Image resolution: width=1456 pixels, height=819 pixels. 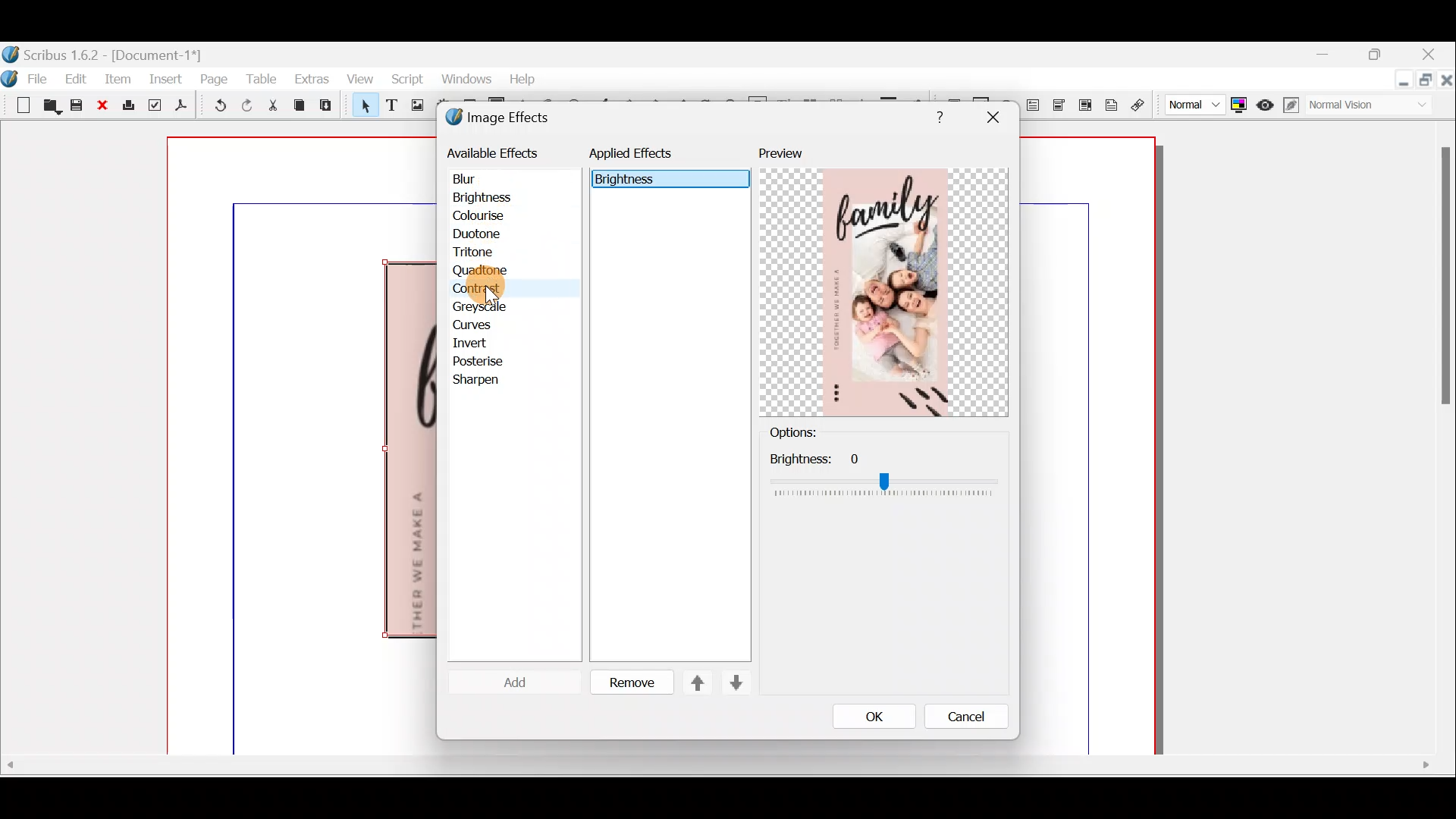 I want to click on Select image preview quality, so click(x=1191, y=102).